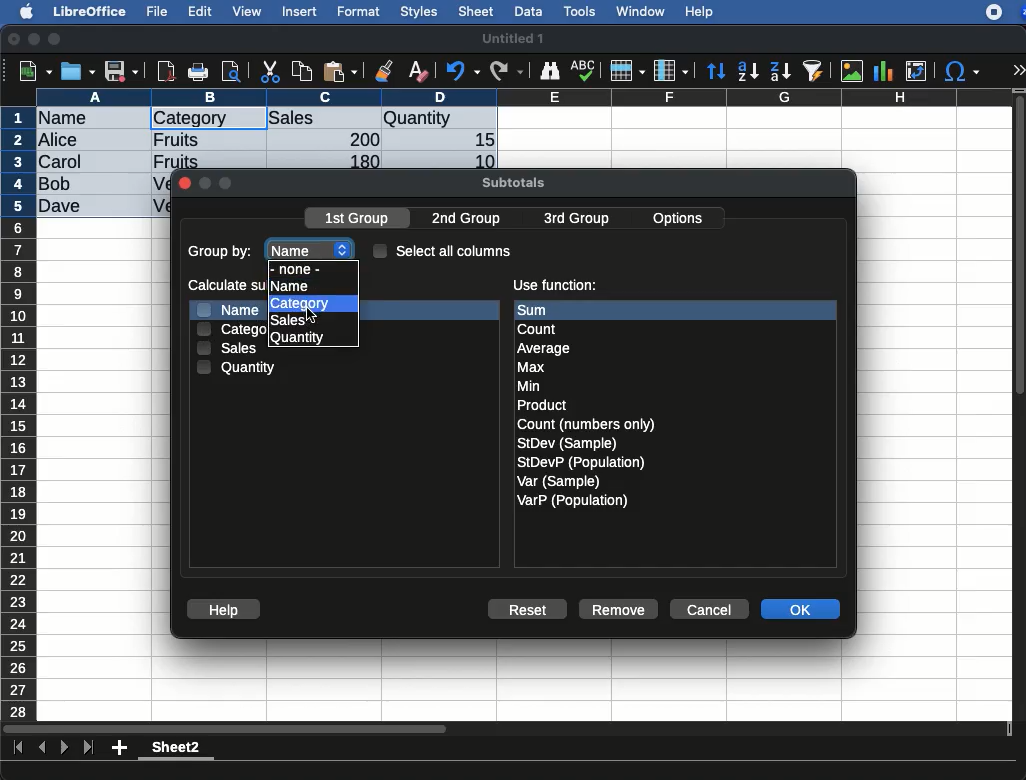 Image resolution: width=1026 pixels, height=780 pixels. I want to click on libreoffice, so click(91, 11).